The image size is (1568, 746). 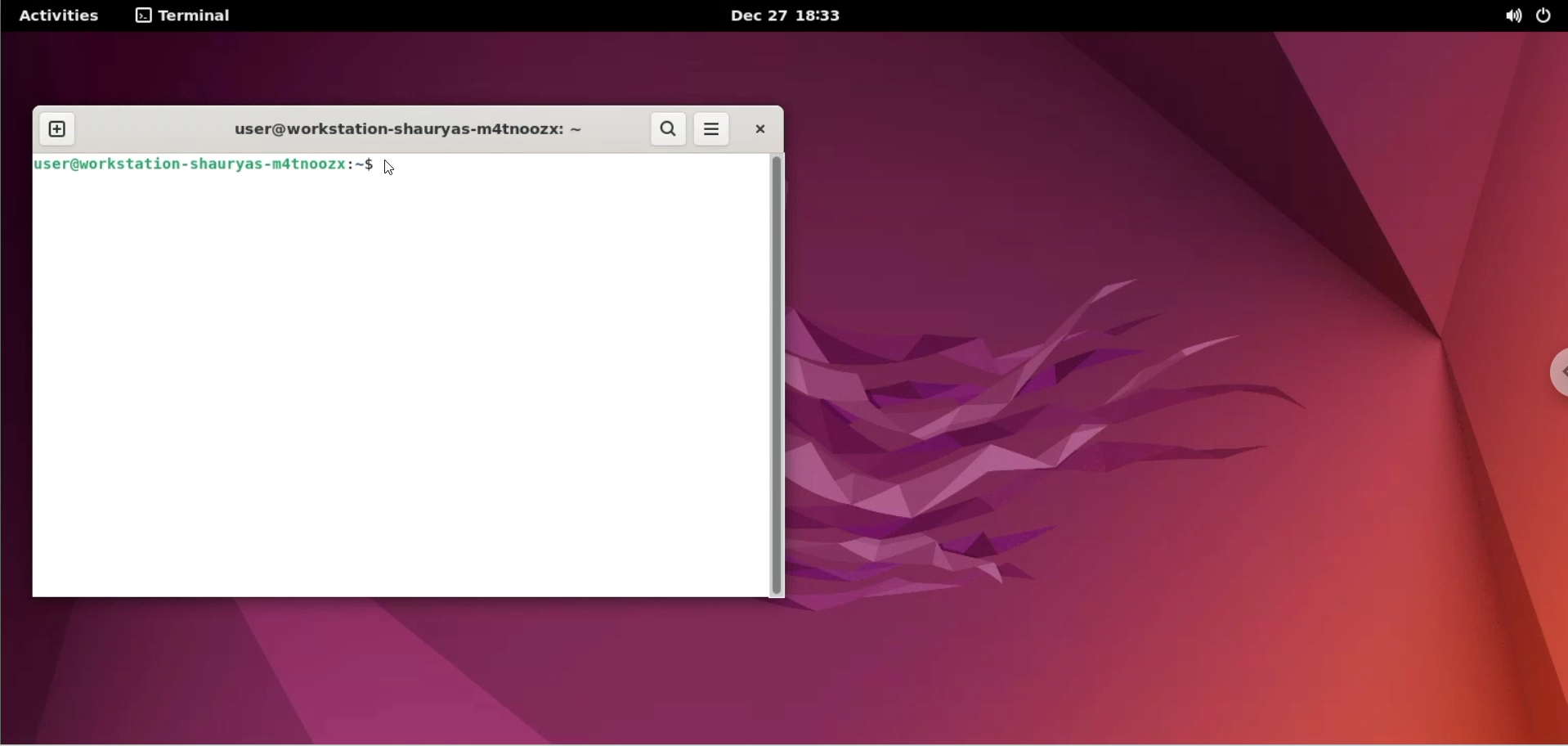 I want to click on scrollbar, so click(x=781, y=377).